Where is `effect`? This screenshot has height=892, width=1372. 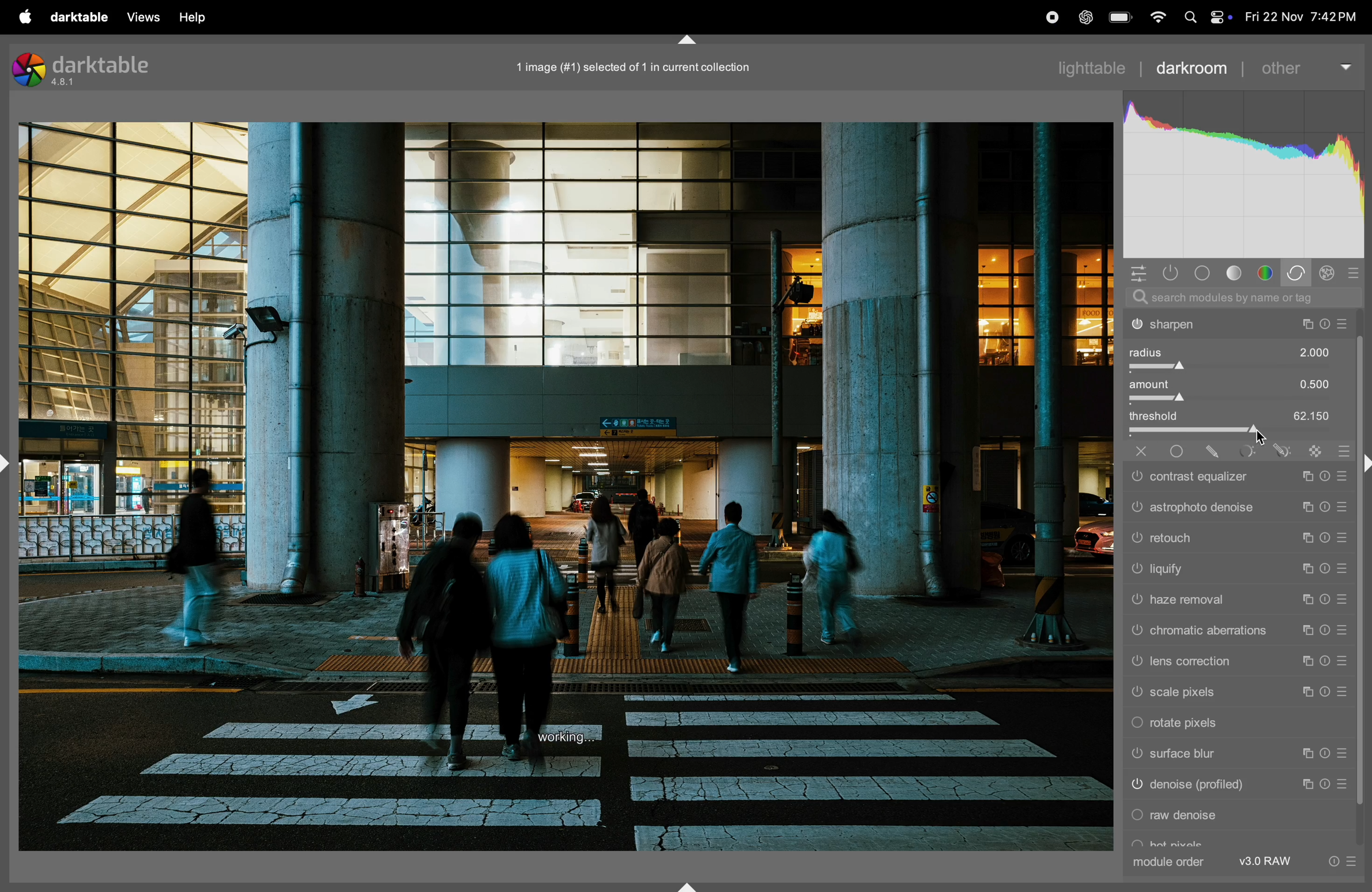
effect is located at coordinates (1331, 272).